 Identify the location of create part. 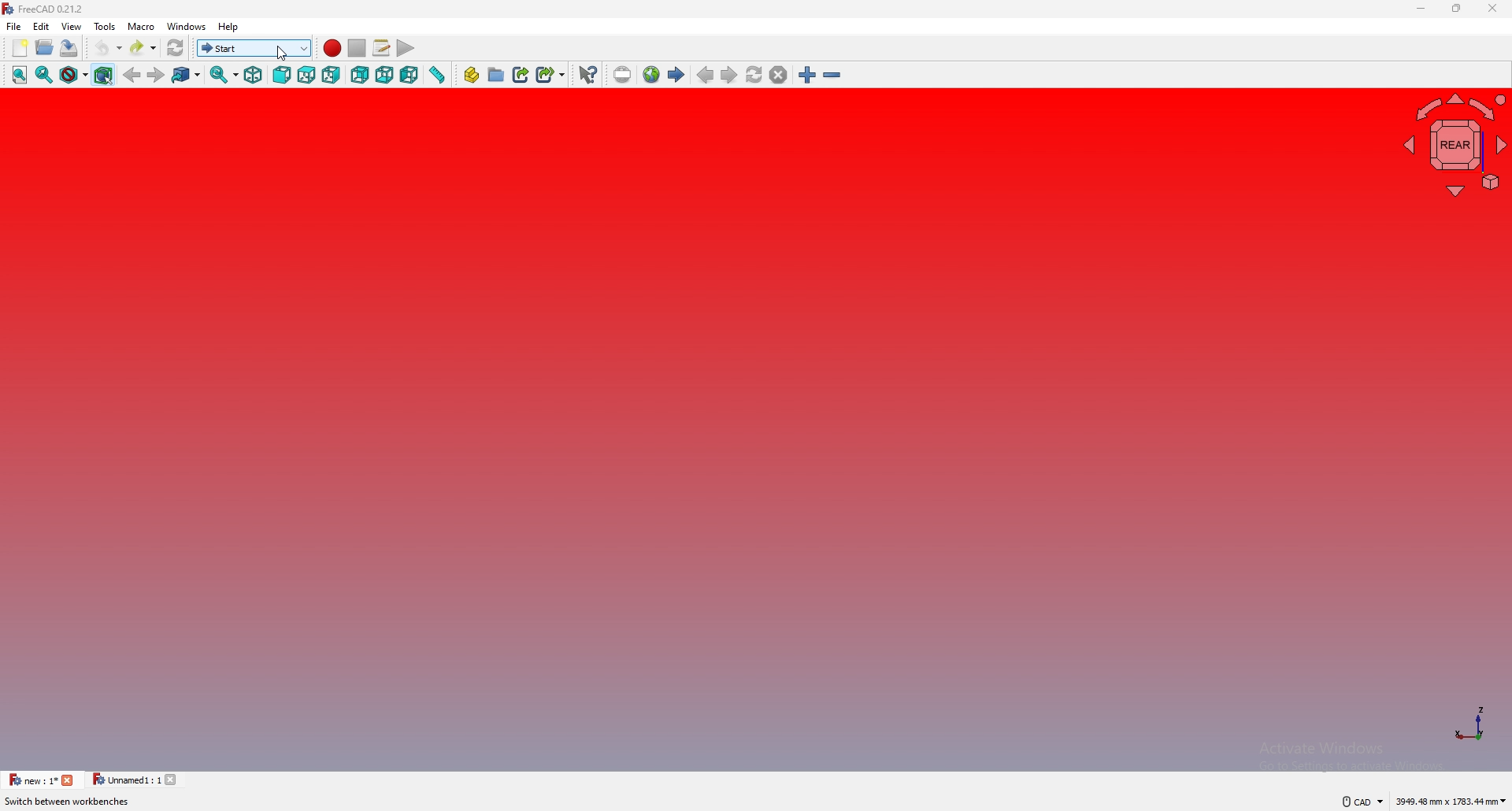
(471, 75).